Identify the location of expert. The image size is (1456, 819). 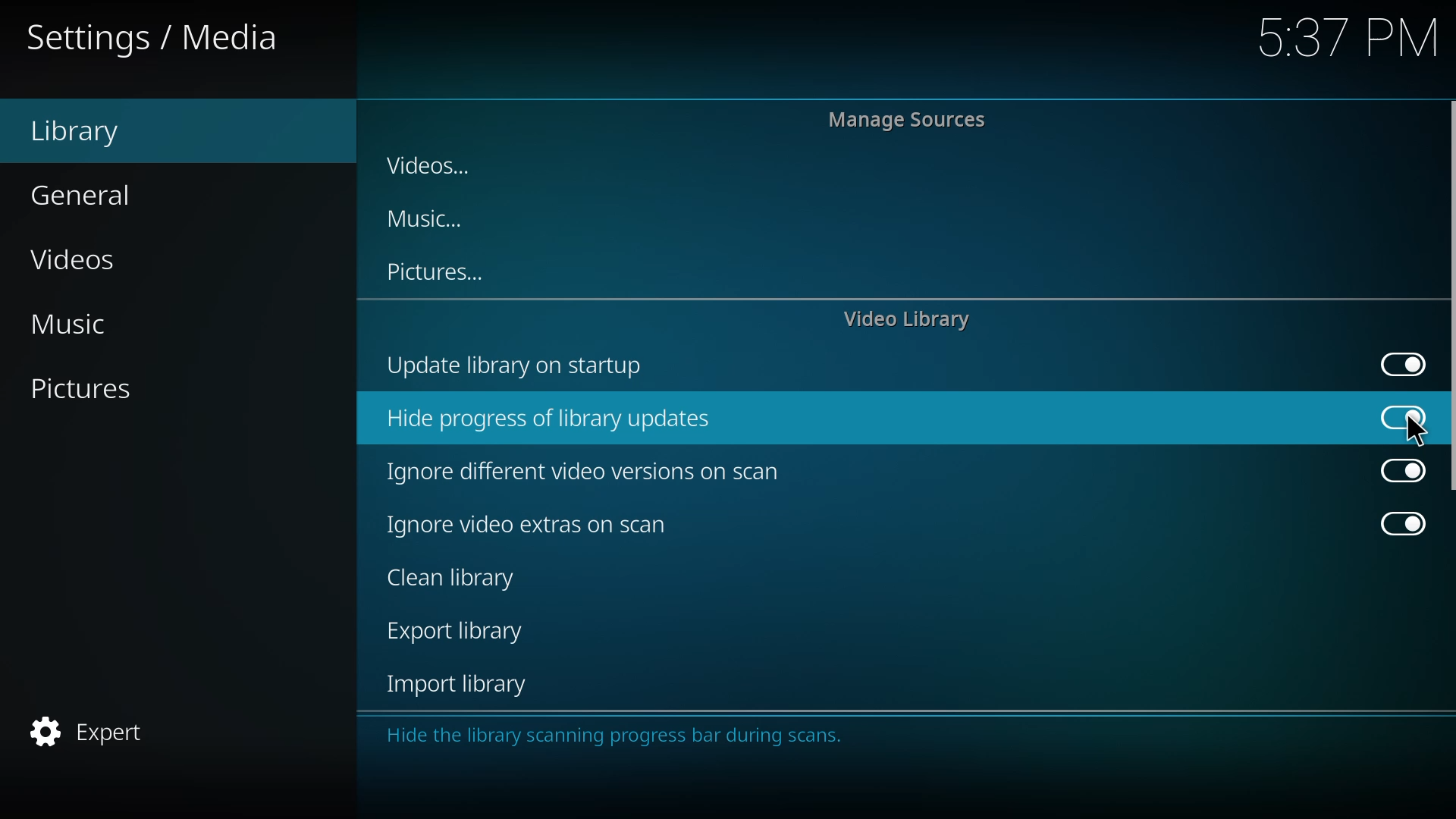
(93, 732).